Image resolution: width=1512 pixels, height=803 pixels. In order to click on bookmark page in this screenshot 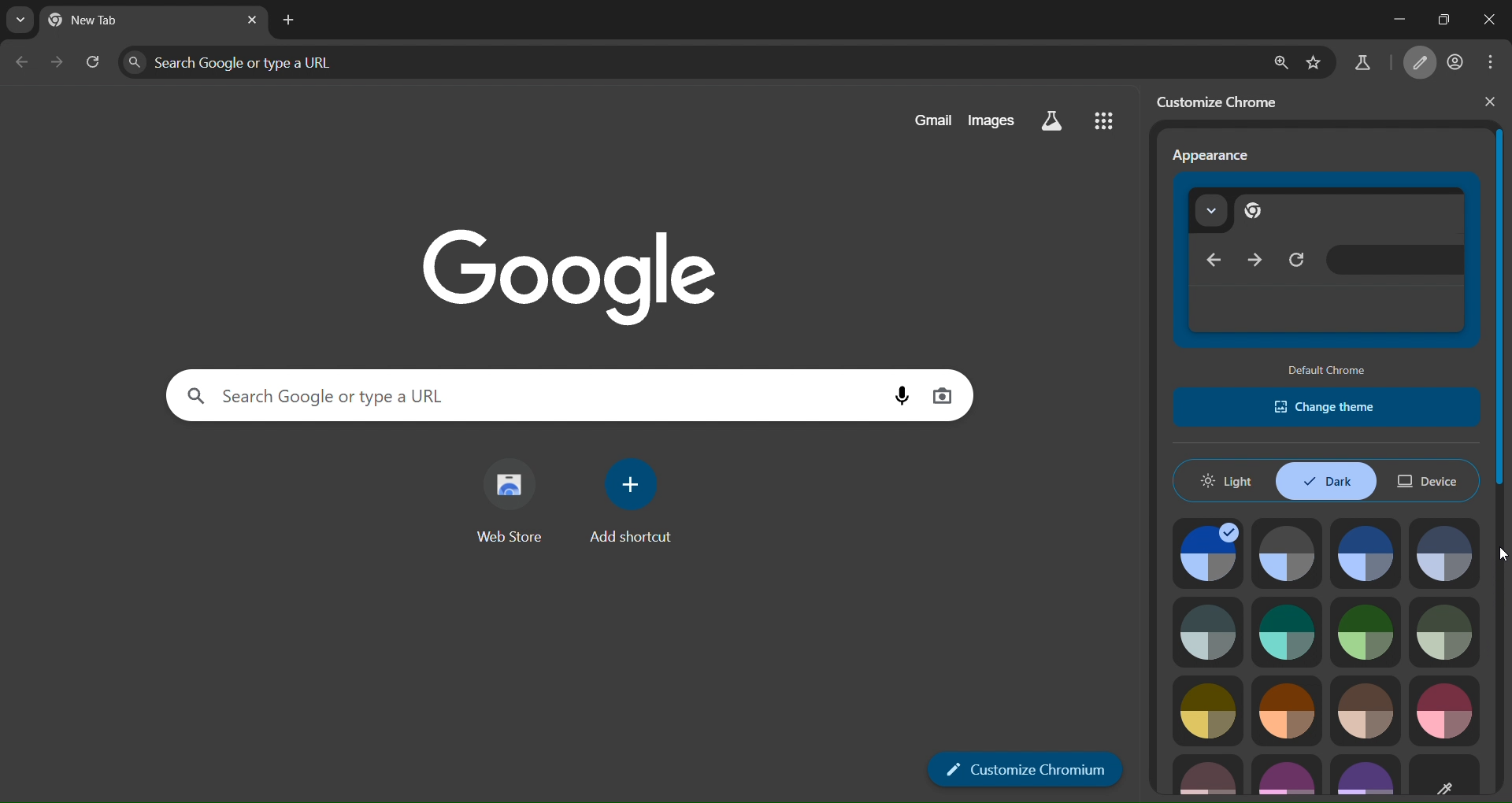, I will do `click(1314, 61)`.